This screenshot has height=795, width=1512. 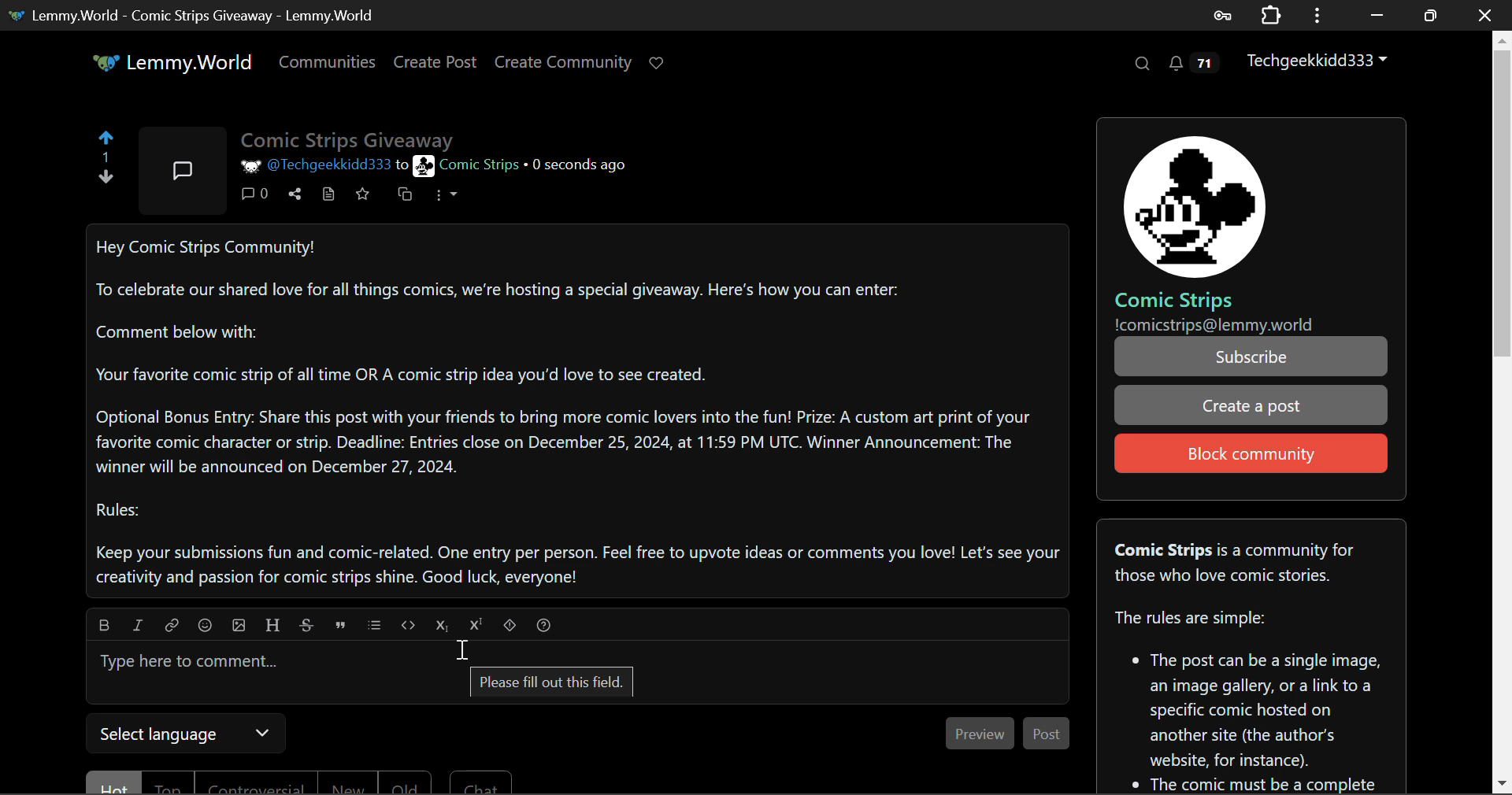 What do you see at coordinates (1253, 453) in the screenshot?
I see `Block community` at bounding box center [1253, 453].